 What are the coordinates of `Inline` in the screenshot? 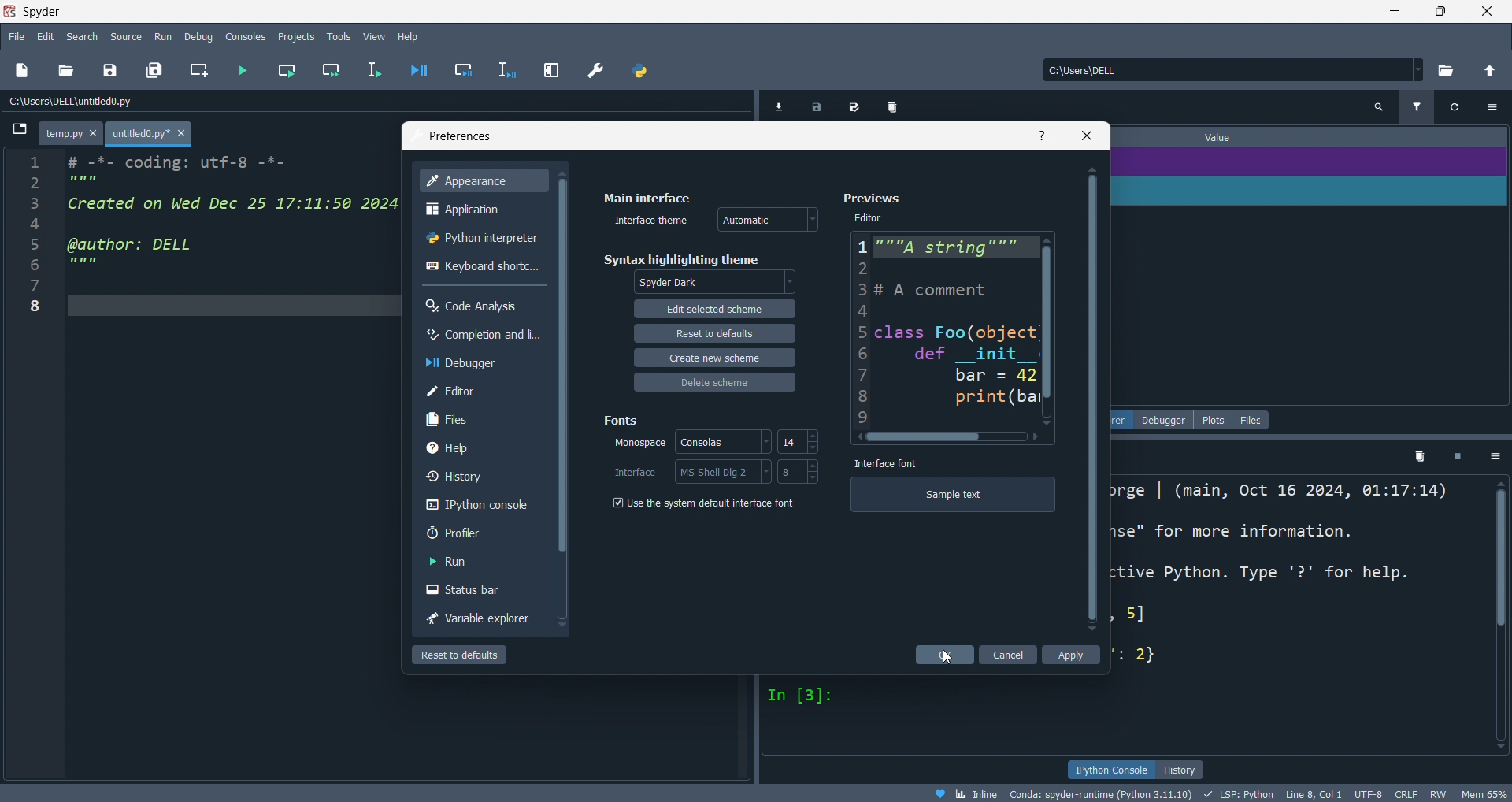 It's located at (971, 793).